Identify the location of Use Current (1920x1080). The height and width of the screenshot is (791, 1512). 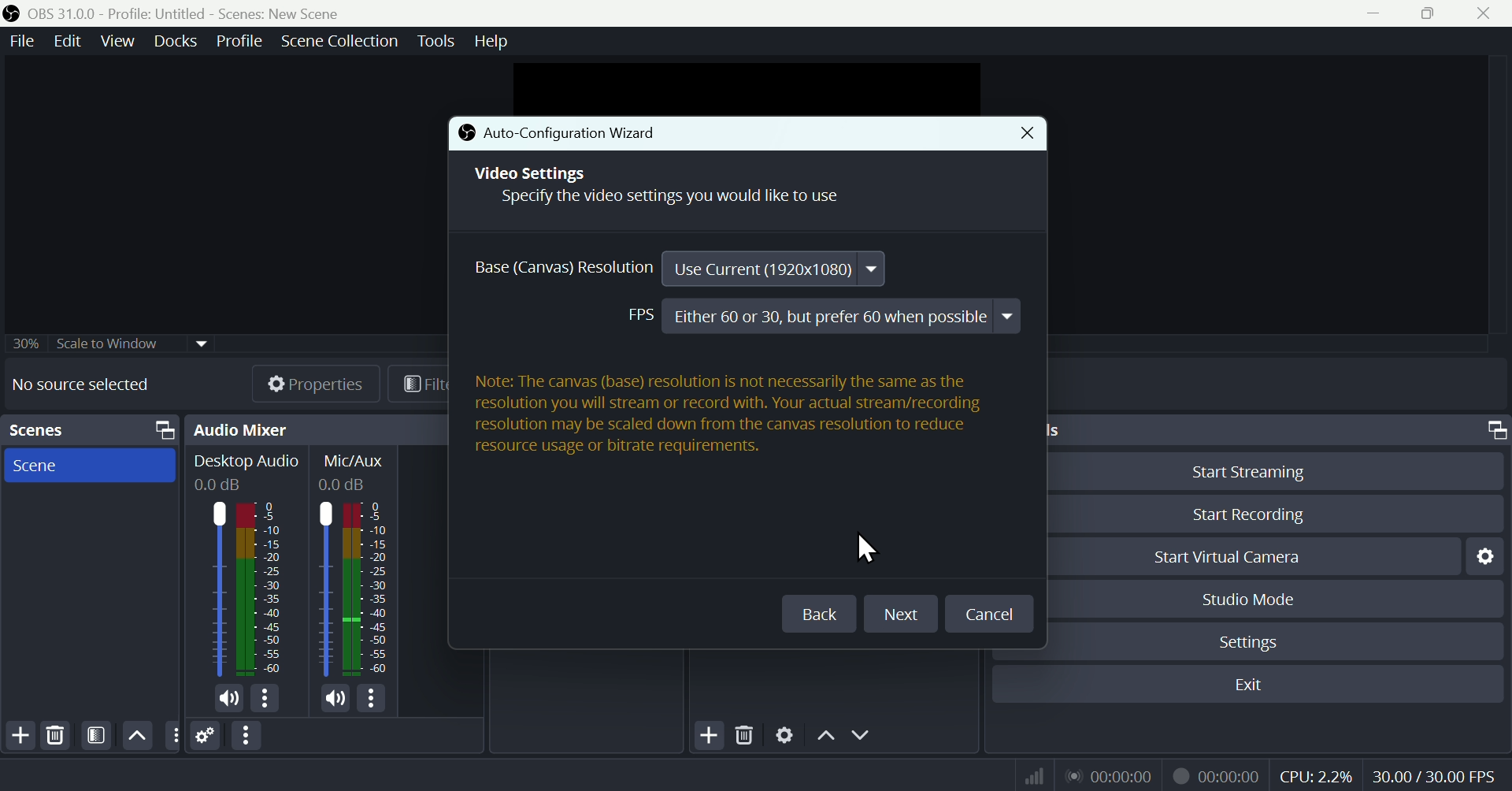
(774, 269).